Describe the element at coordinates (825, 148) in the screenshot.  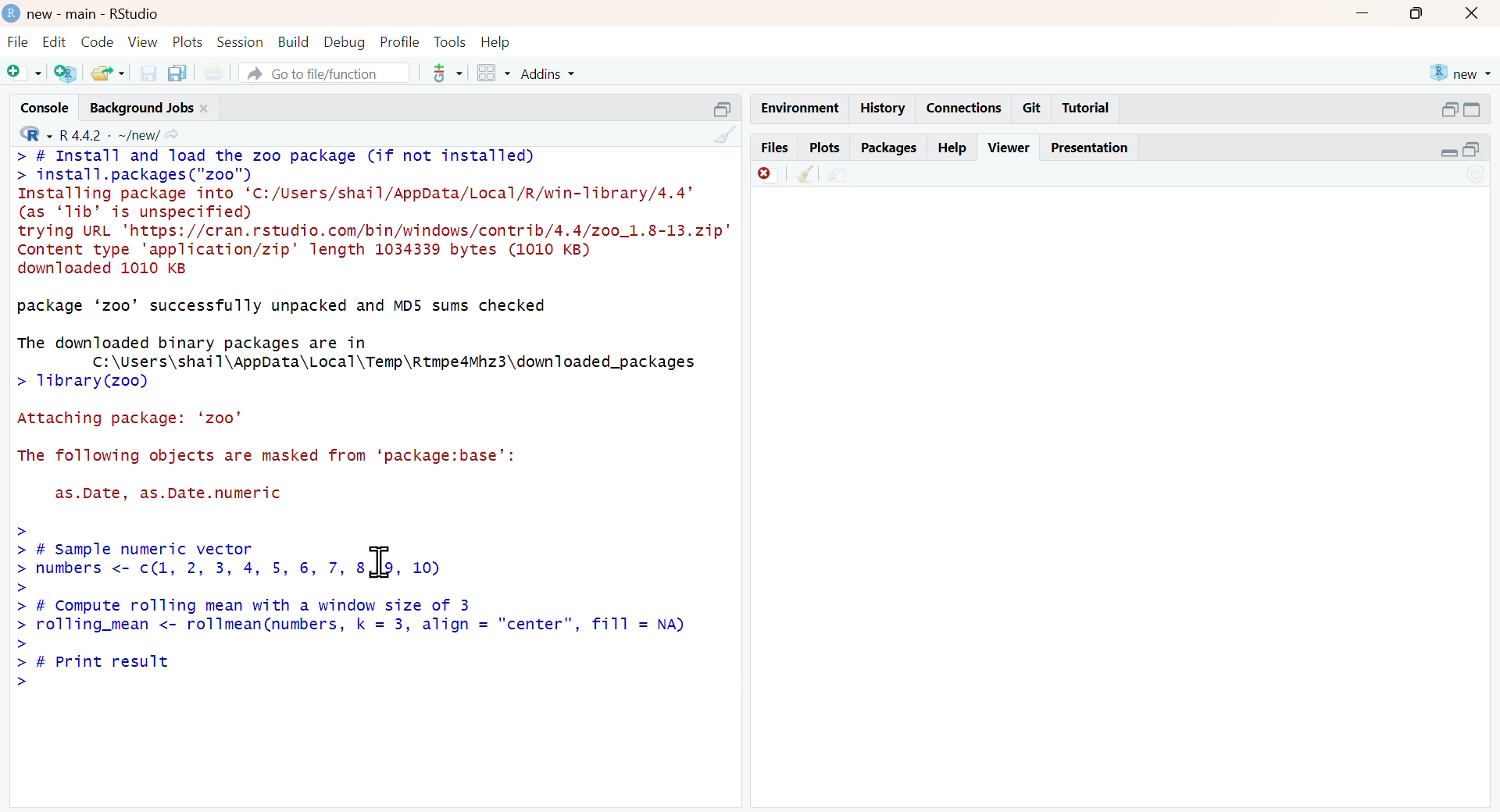
I see `plots` at that location.